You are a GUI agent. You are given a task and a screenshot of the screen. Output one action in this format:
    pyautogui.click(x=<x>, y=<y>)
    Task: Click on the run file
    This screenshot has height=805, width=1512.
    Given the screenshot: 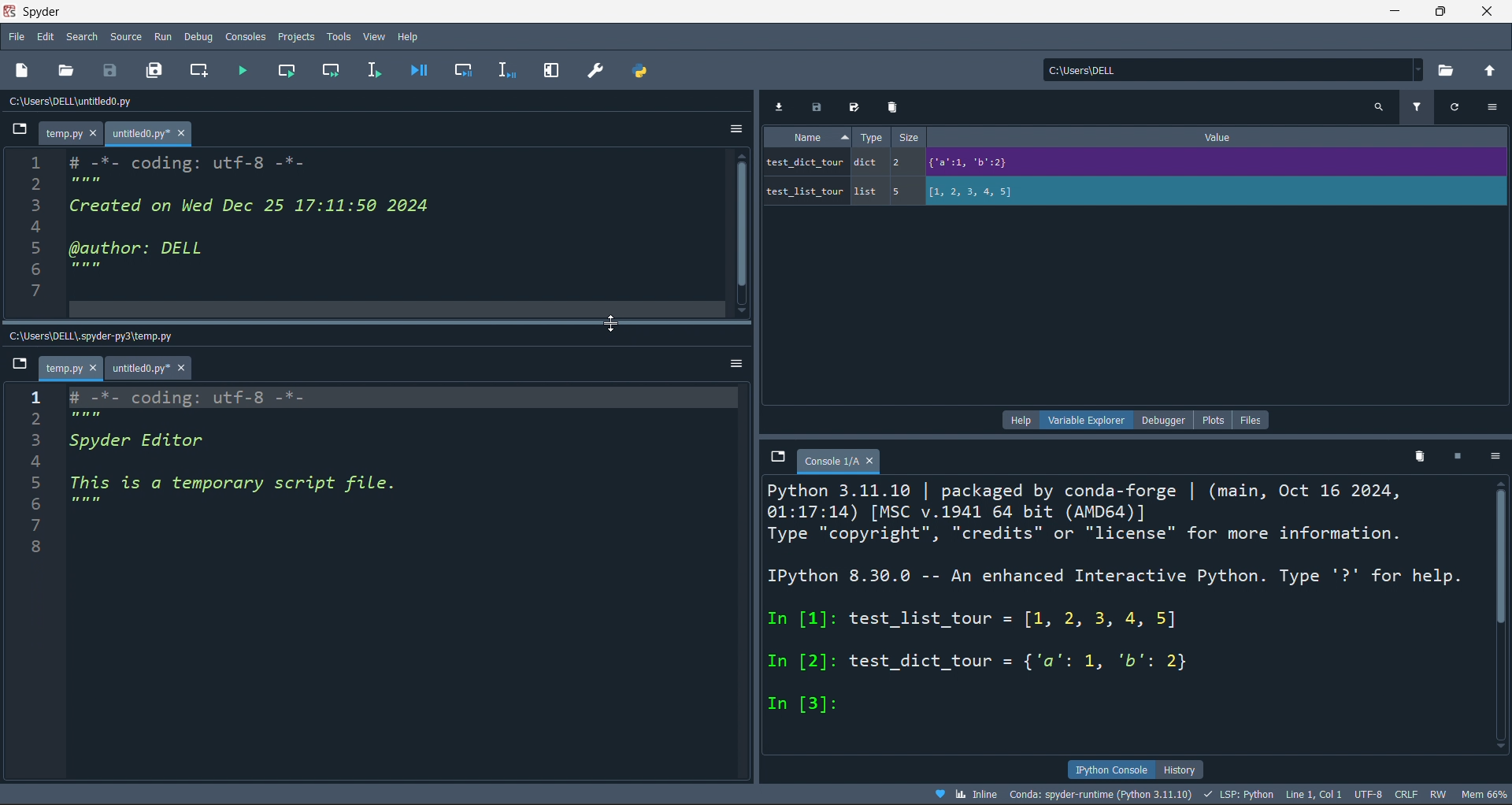 What is the action you would take?
    pyautogui.click(x=244, y=71)
    